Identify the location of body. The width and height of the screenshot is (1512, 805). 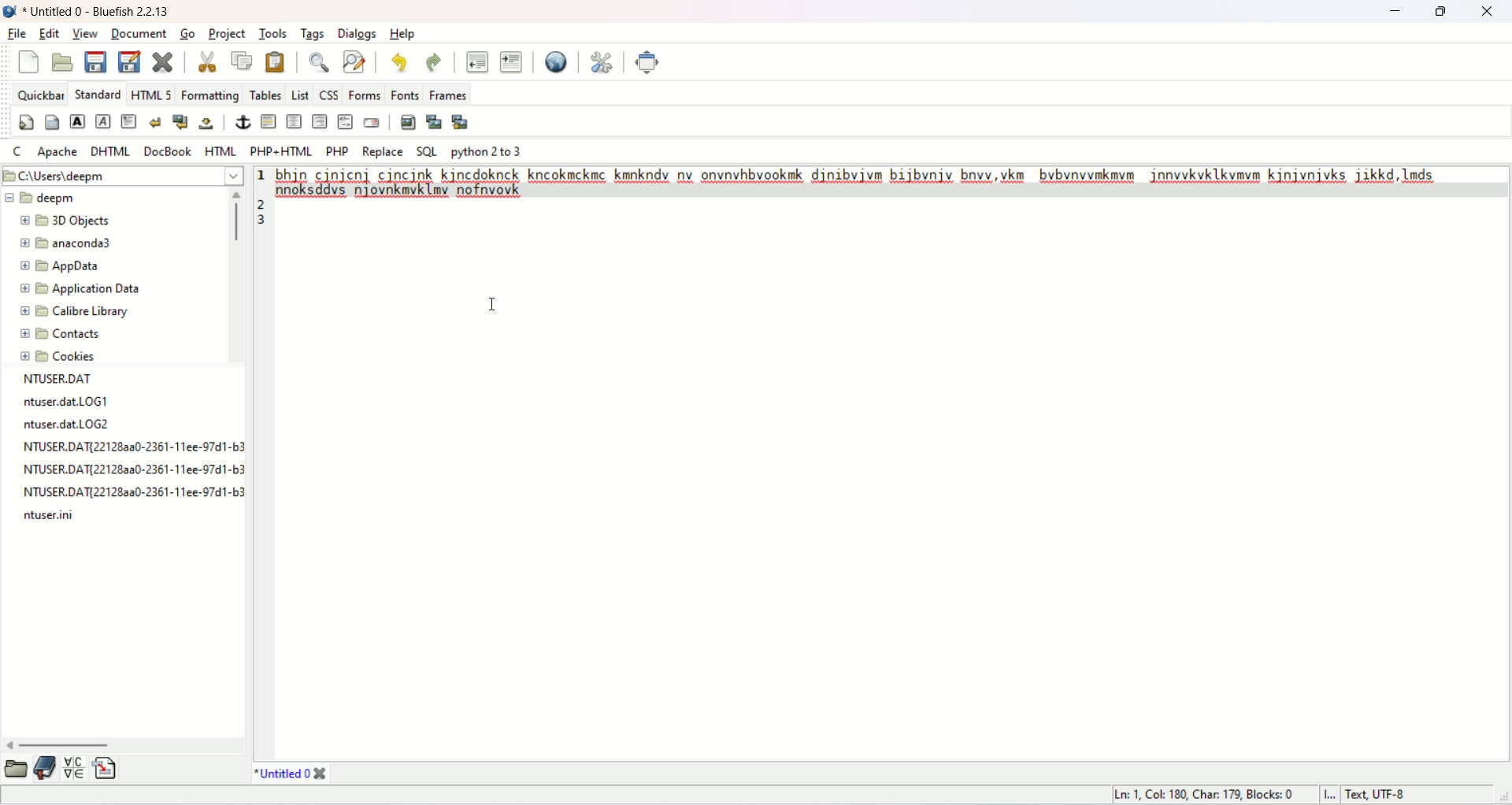
(52, 122).